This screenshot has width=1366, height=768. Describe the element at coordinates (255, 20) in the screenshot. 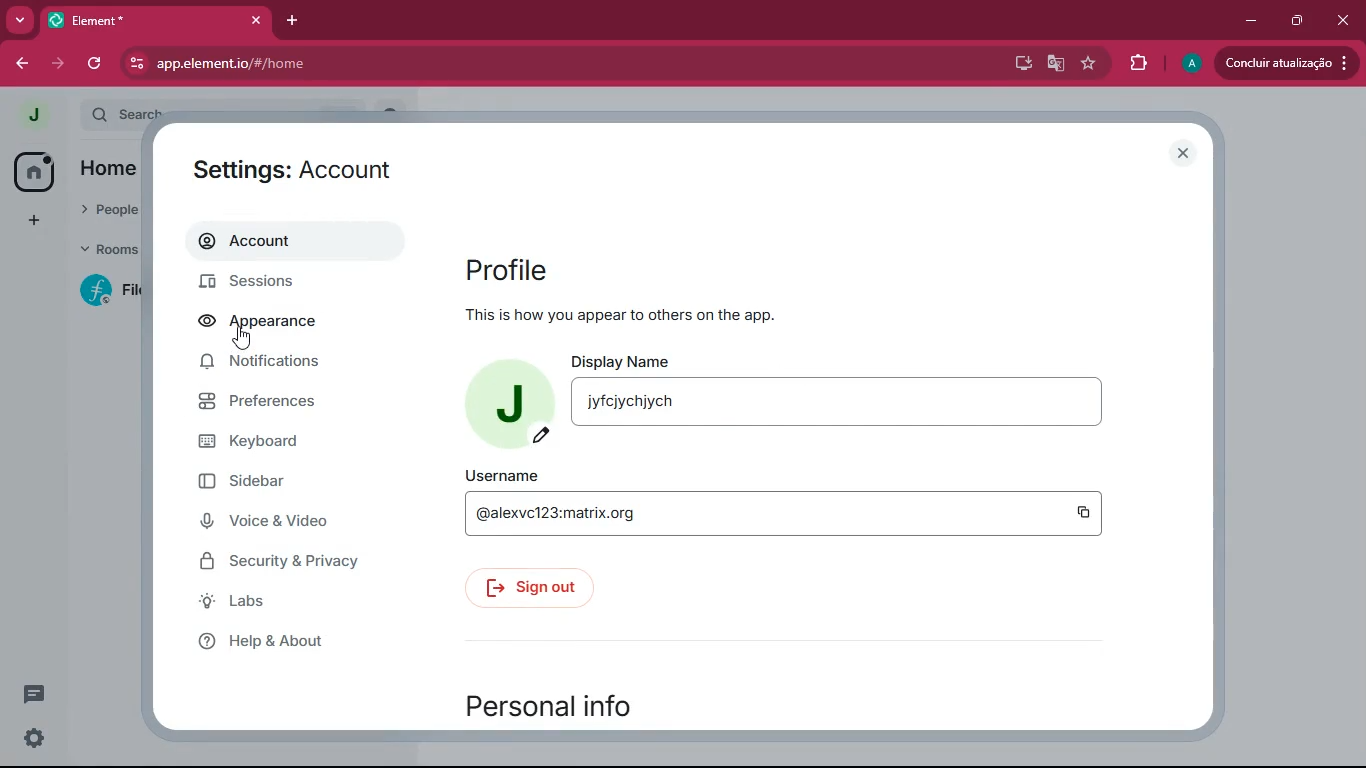

I see `close` at that location.